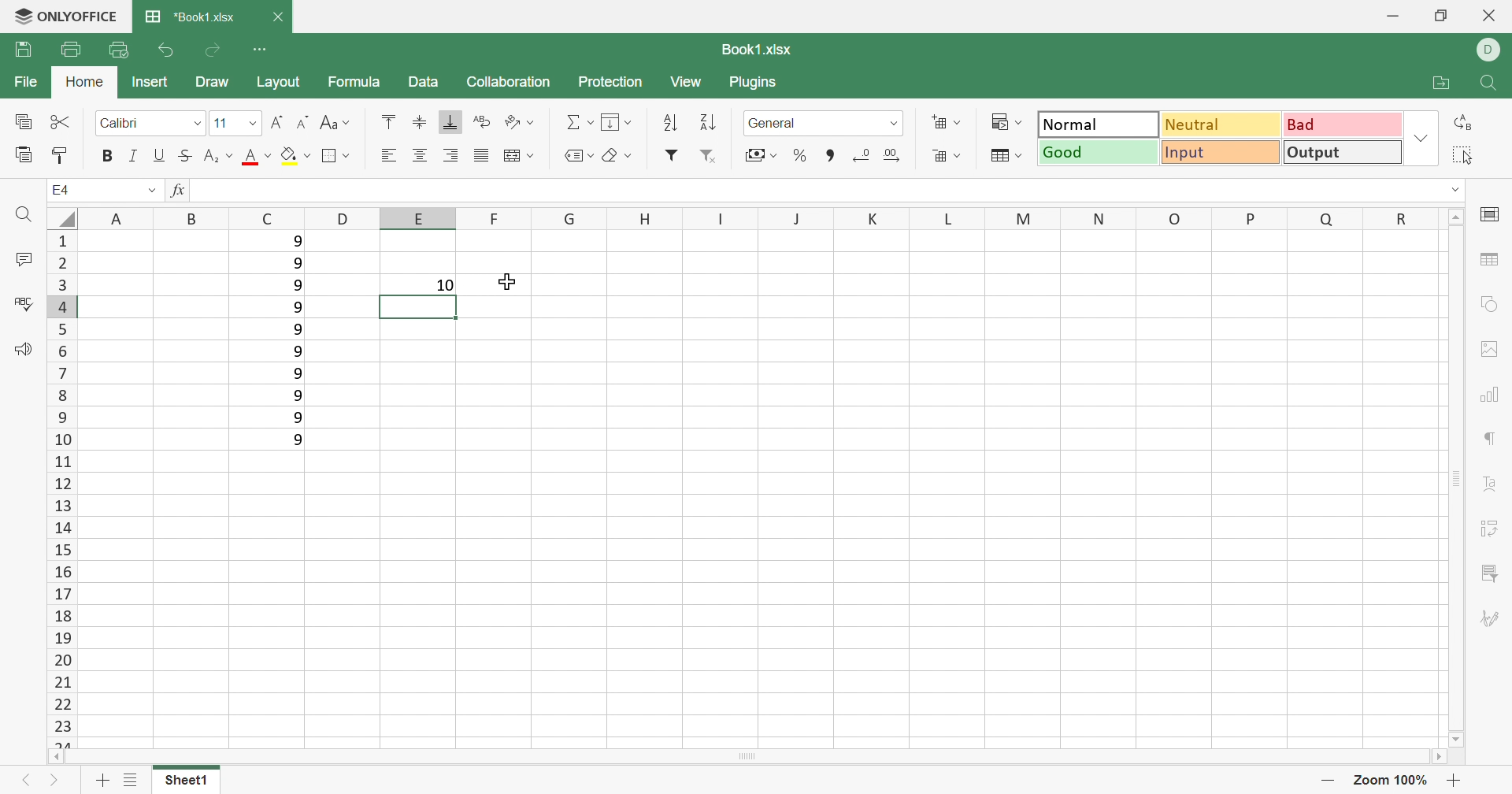 The width and height of the screenshot is (1512, 794). I want to click on Find, so click(1490, 83).